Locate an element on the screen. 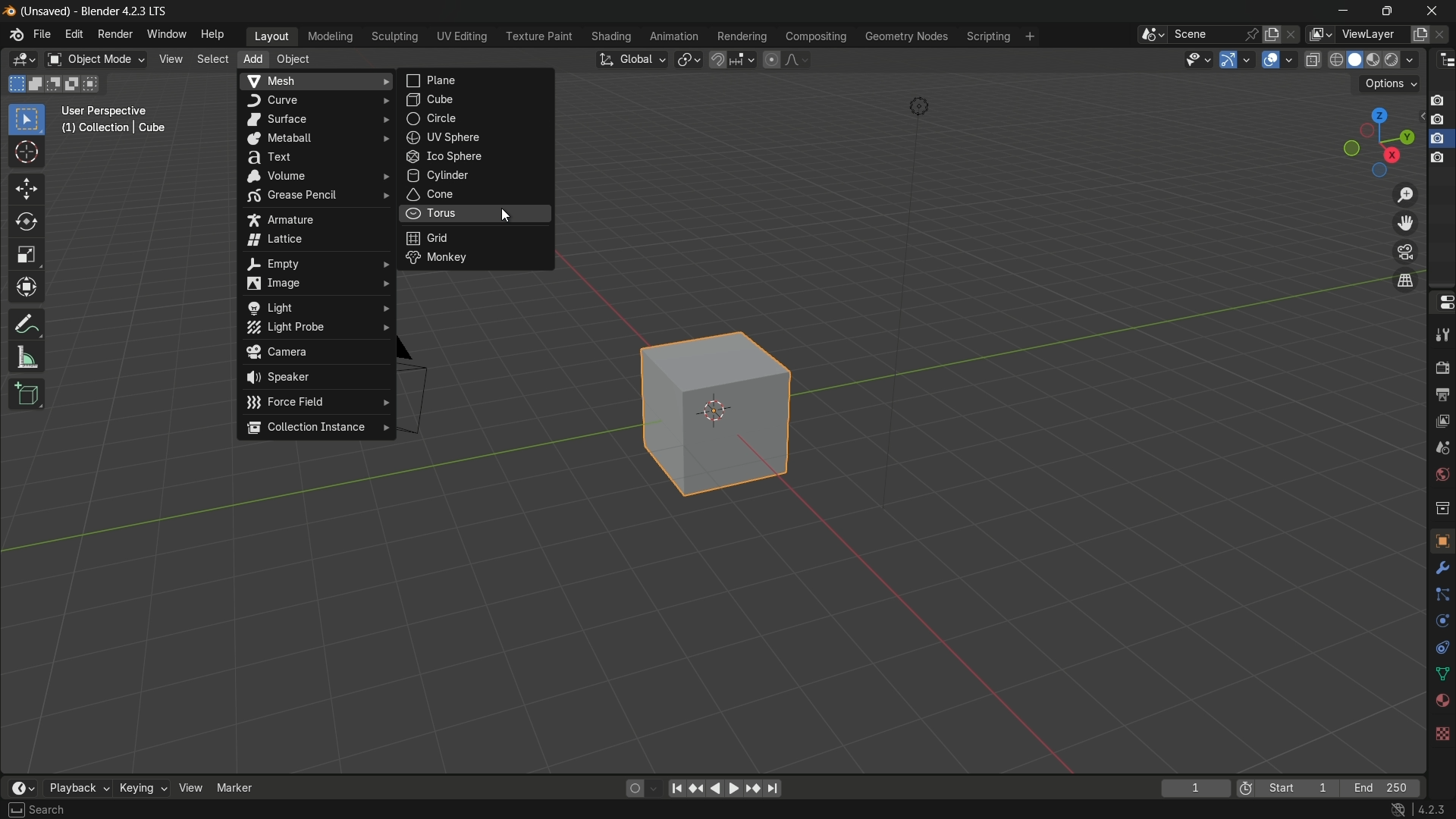  End 250 is located at coordinates (1379, 788).